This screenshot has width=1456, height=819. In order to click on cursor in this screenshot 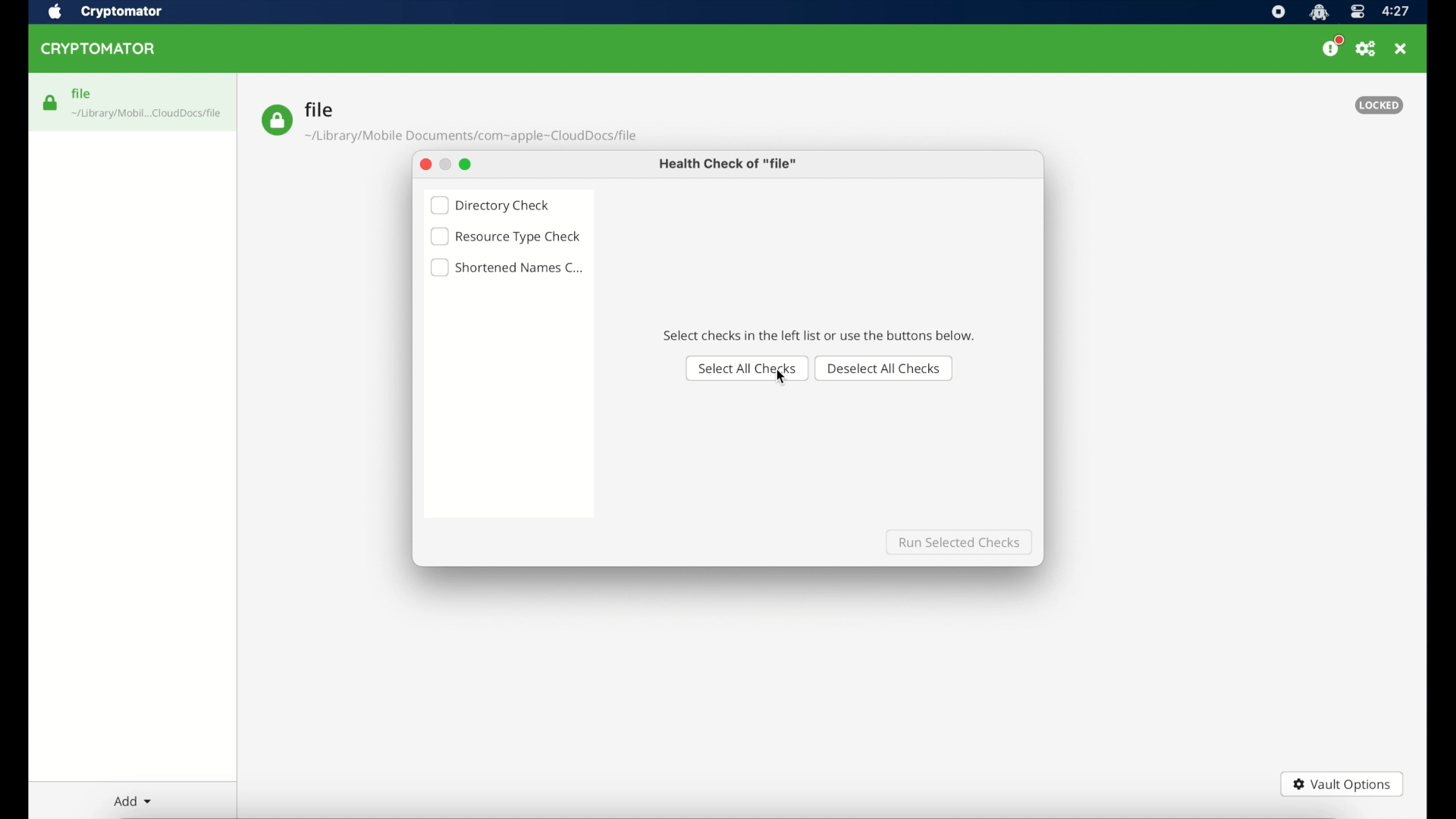, I will do `click(782, 380)`.